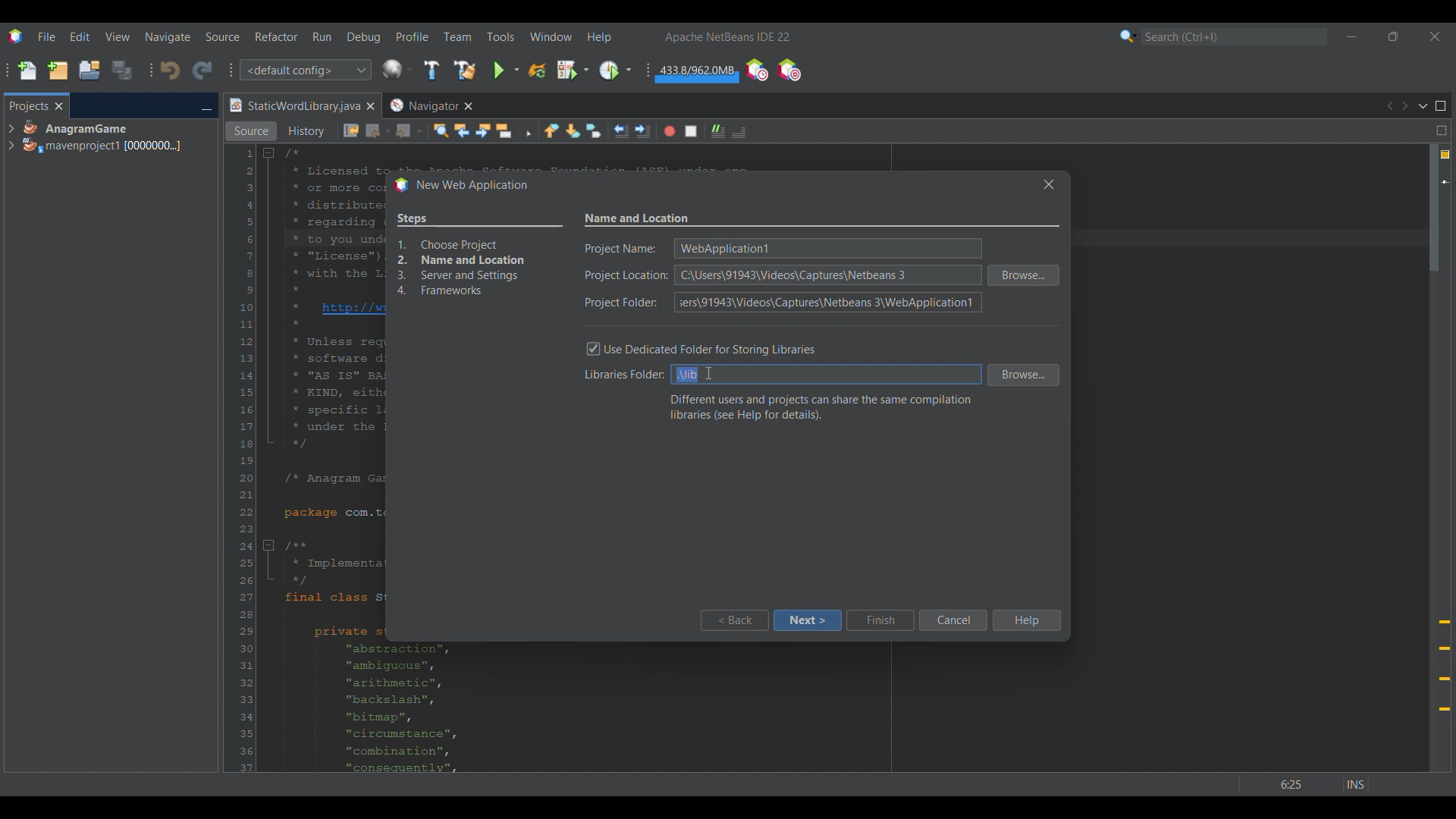 The width and height of the screenshot is (1456, 819). I want to click on Software logo, so click(15, 36).